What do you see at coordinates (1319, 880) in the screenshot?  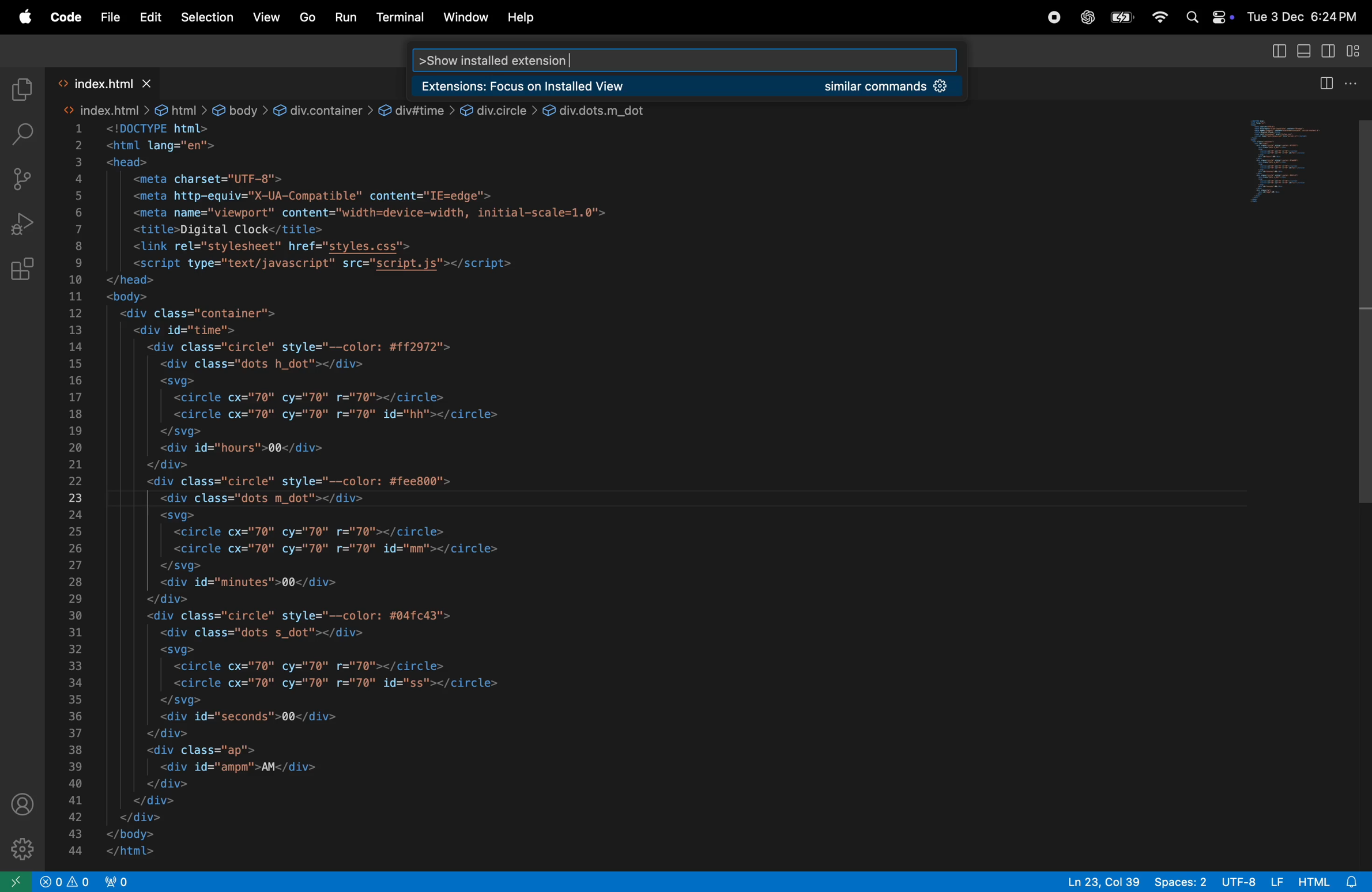 I see `html alert` at bounding box center [1319, 880].